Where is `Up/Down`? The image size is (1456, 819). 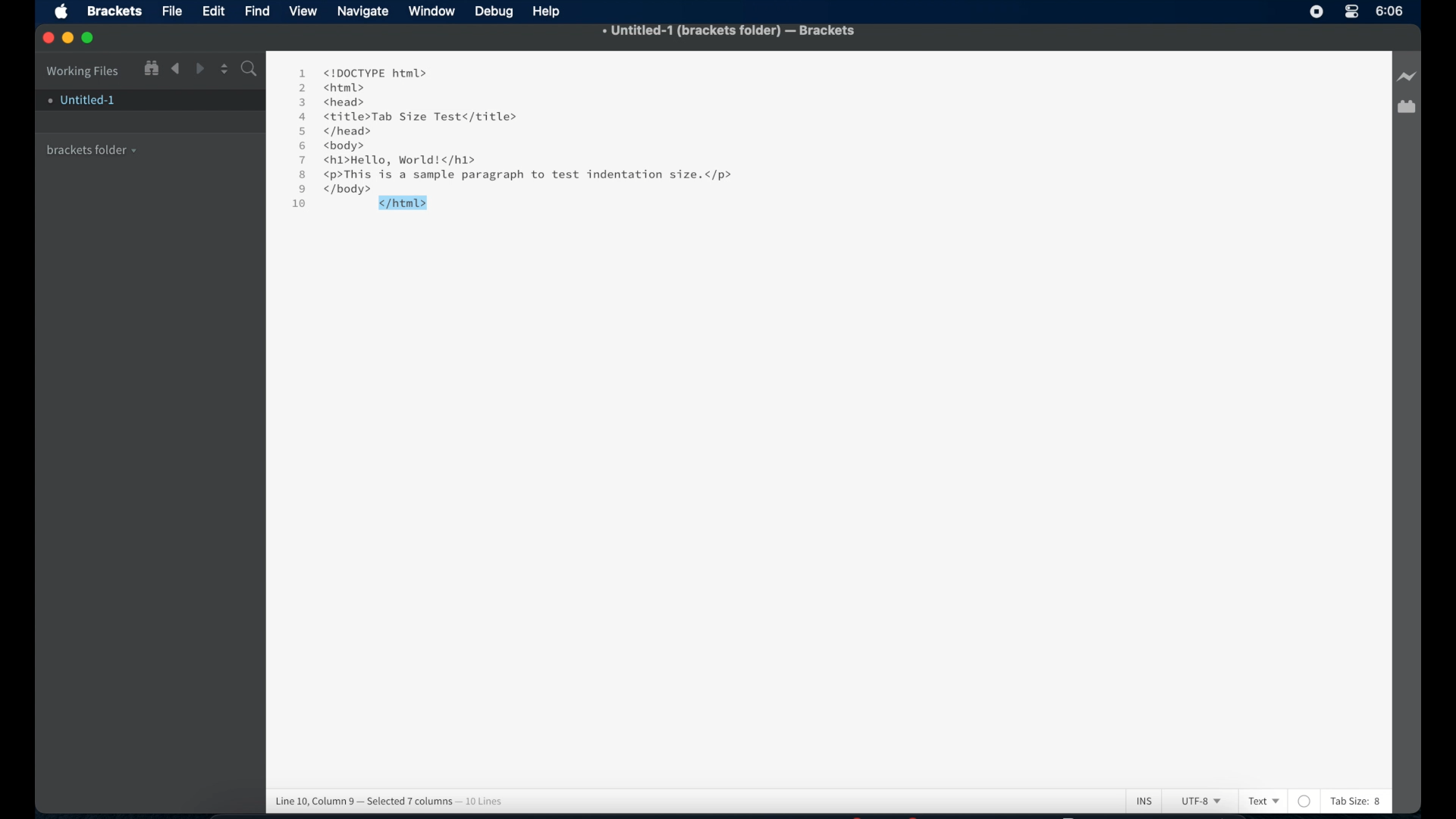
Up/Down is located at coordinates (224, 68).